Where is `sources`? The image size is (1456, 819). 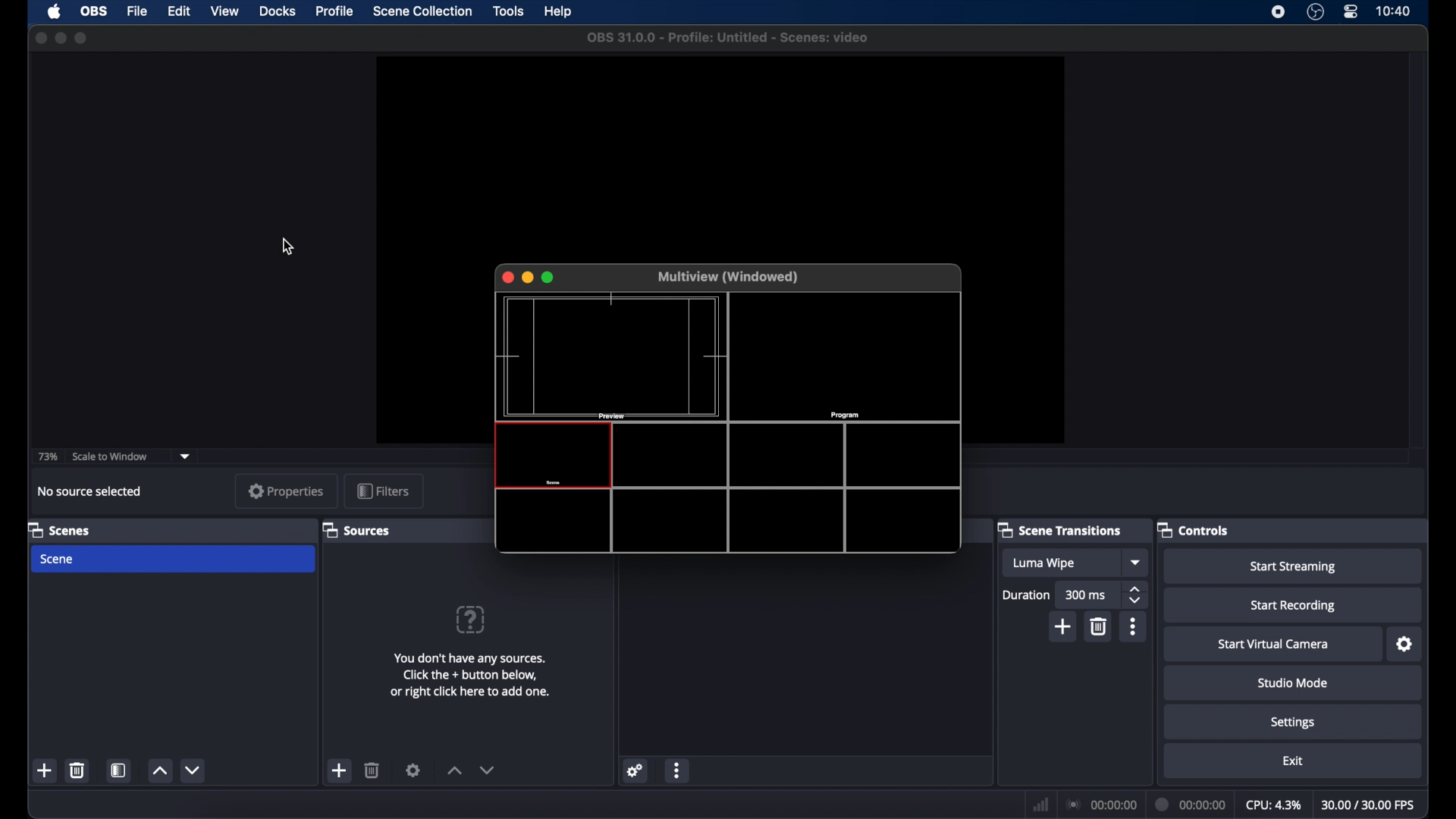 sources is located at coordinates (358, 529).